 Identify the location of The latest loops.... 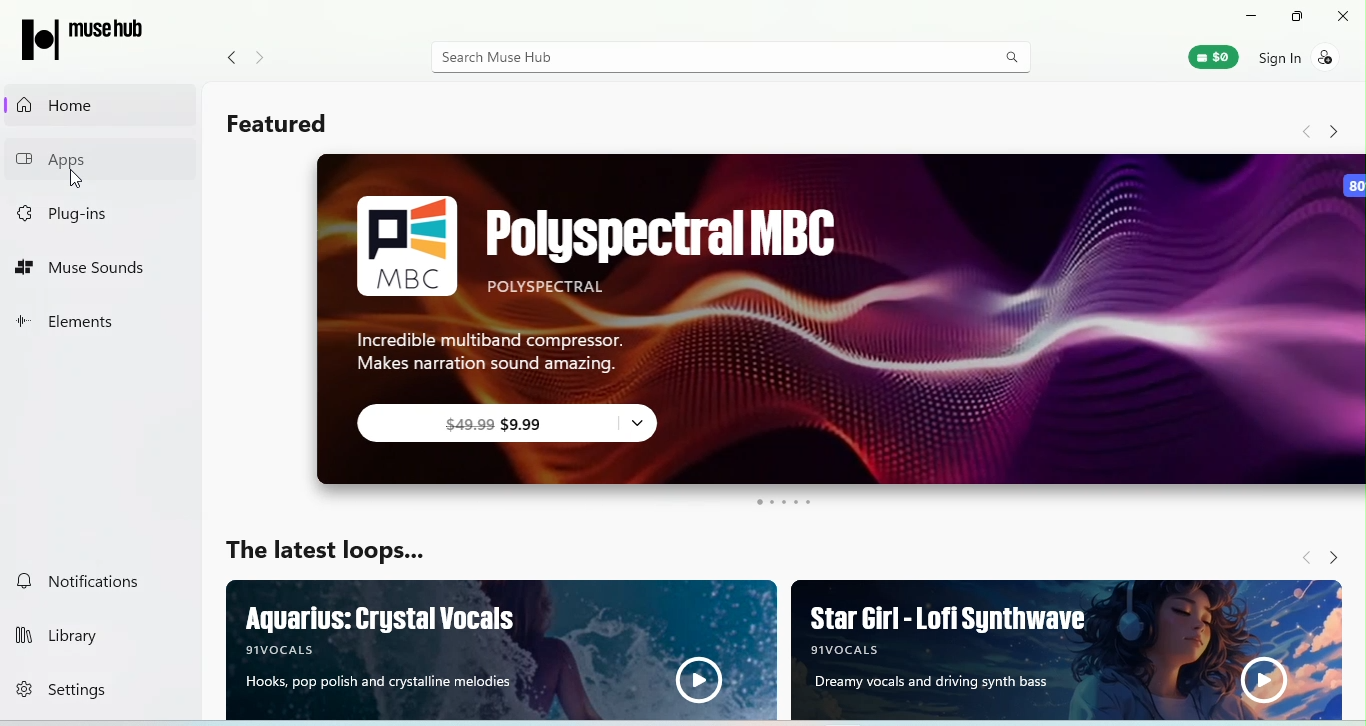
(323, 552).